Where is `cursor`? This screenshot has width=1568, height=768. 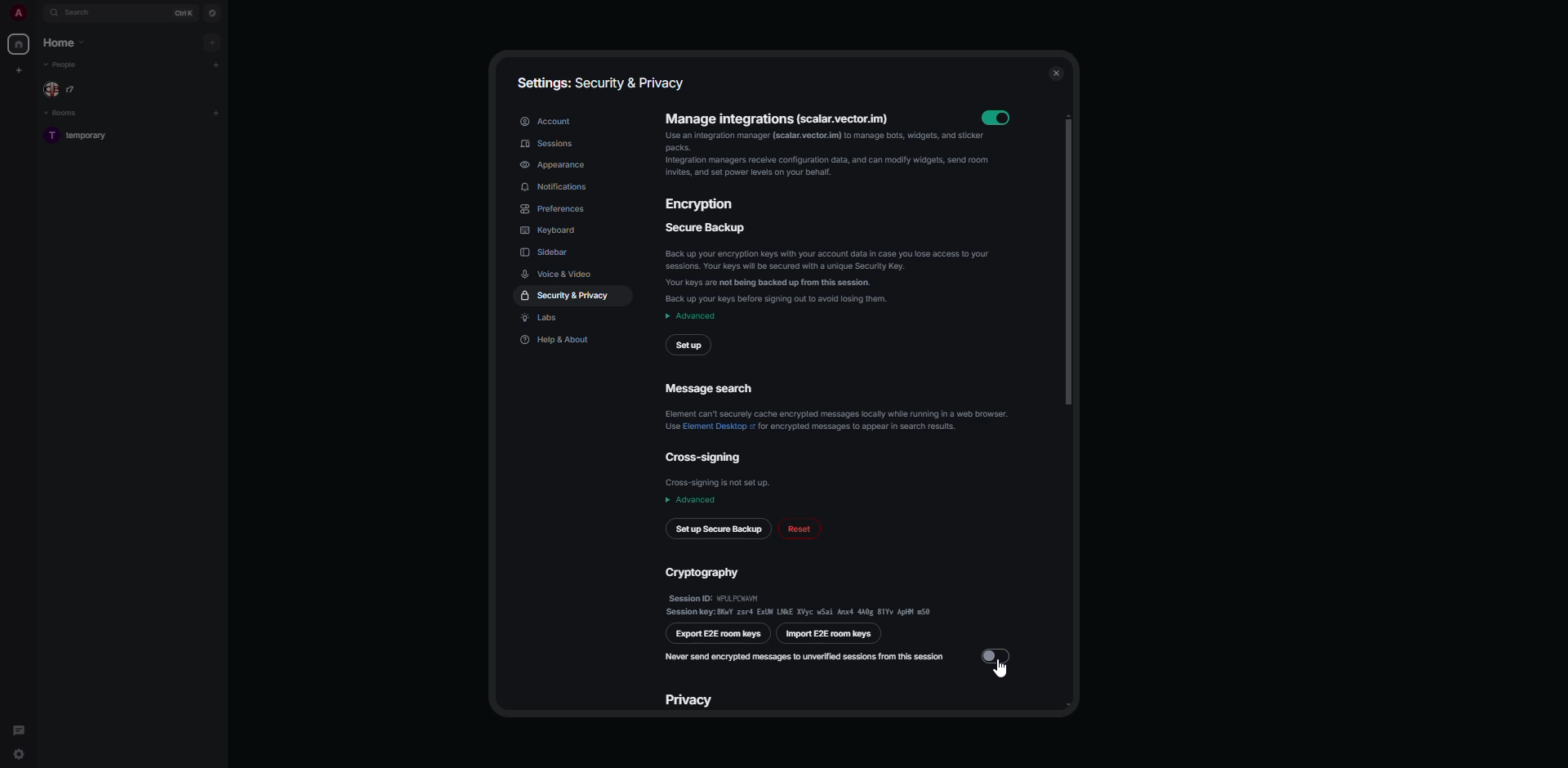 cursor is located at coordinates (1000, 673).